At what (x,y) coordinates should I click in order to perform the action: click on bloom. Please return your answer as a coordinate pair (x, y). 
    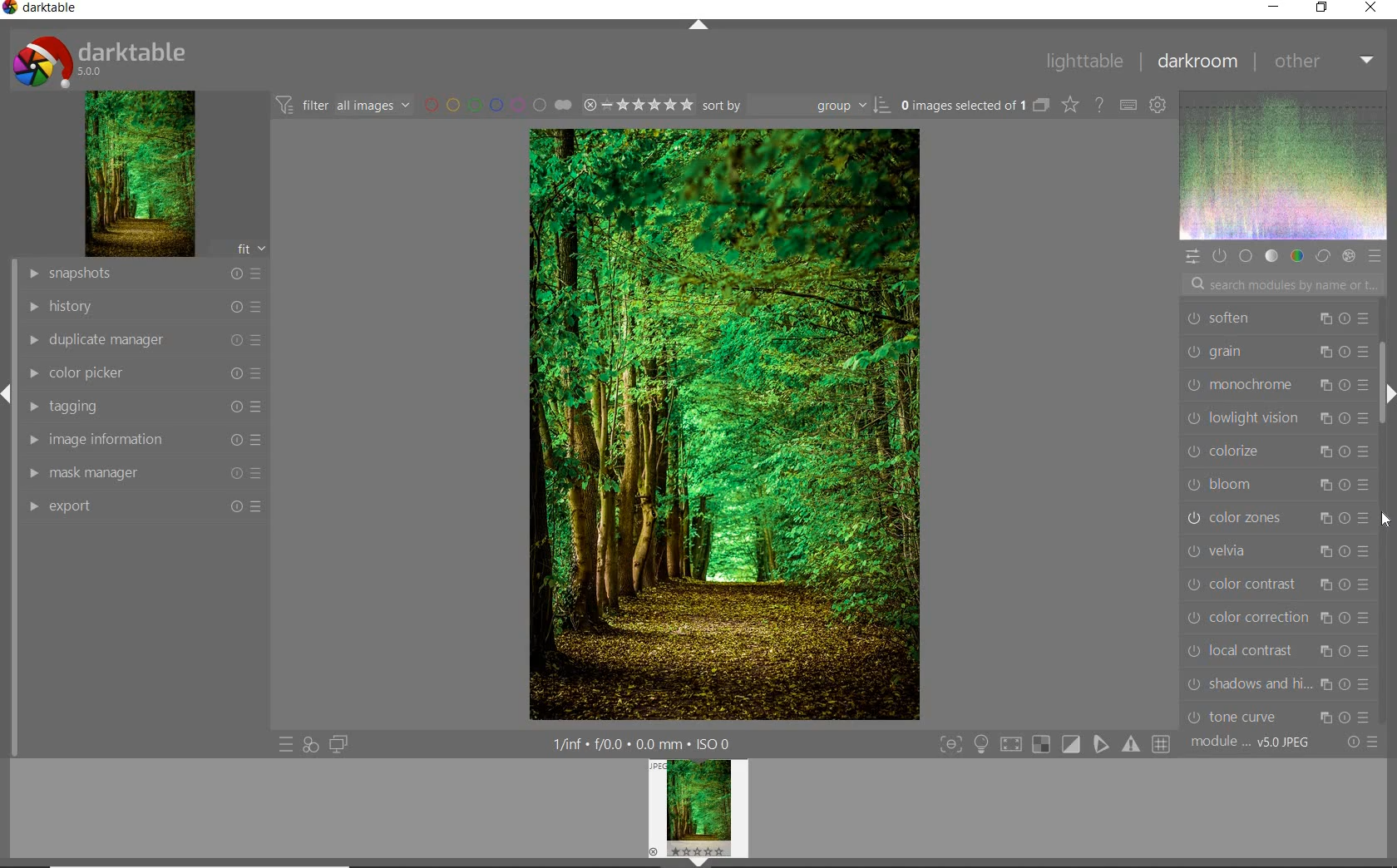
    Looking at the image, I should click on (1279, 484).